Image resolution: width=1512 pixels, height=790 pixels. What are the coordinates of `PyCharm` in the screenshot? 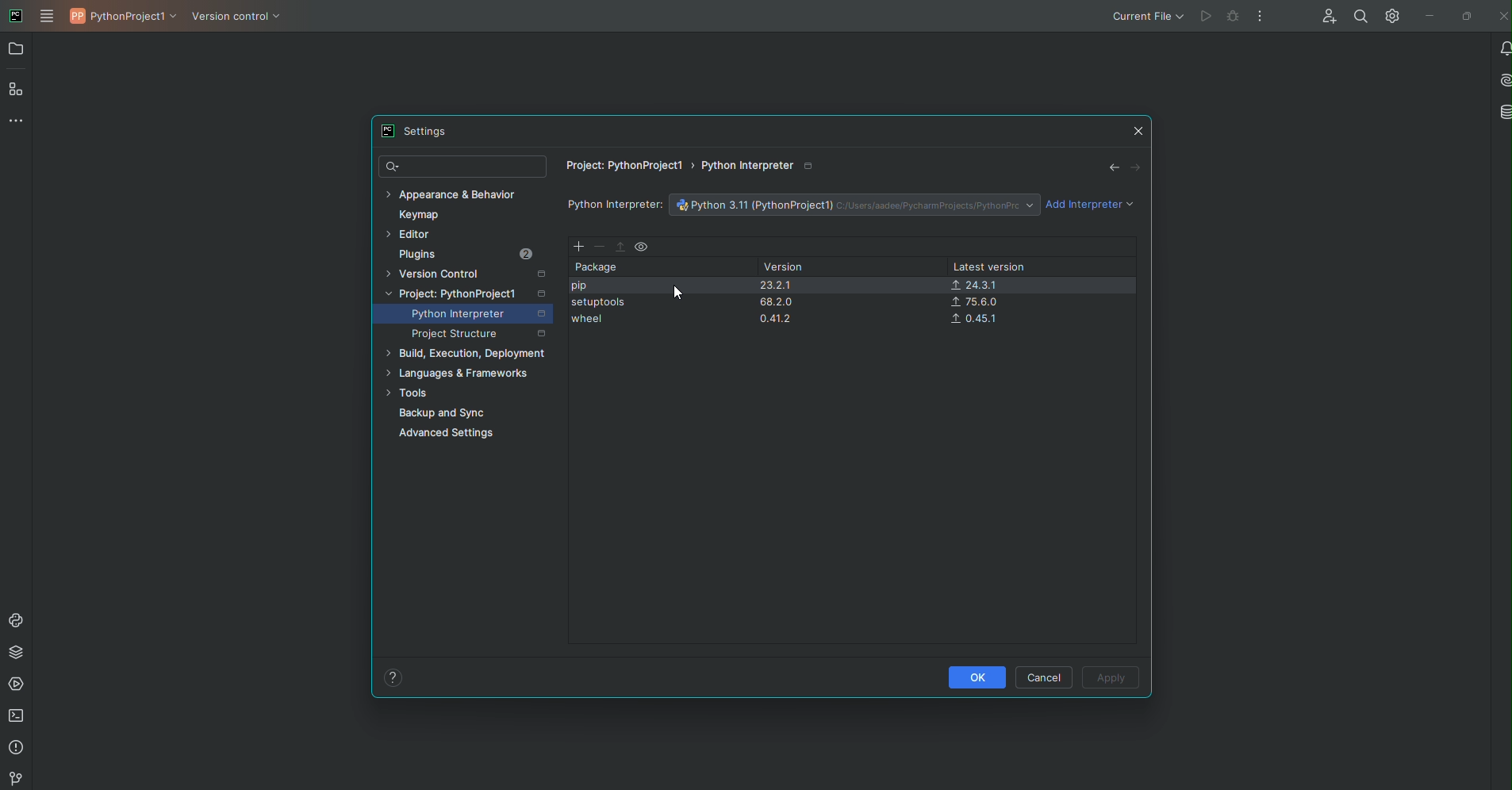 It's located at (15, 15).